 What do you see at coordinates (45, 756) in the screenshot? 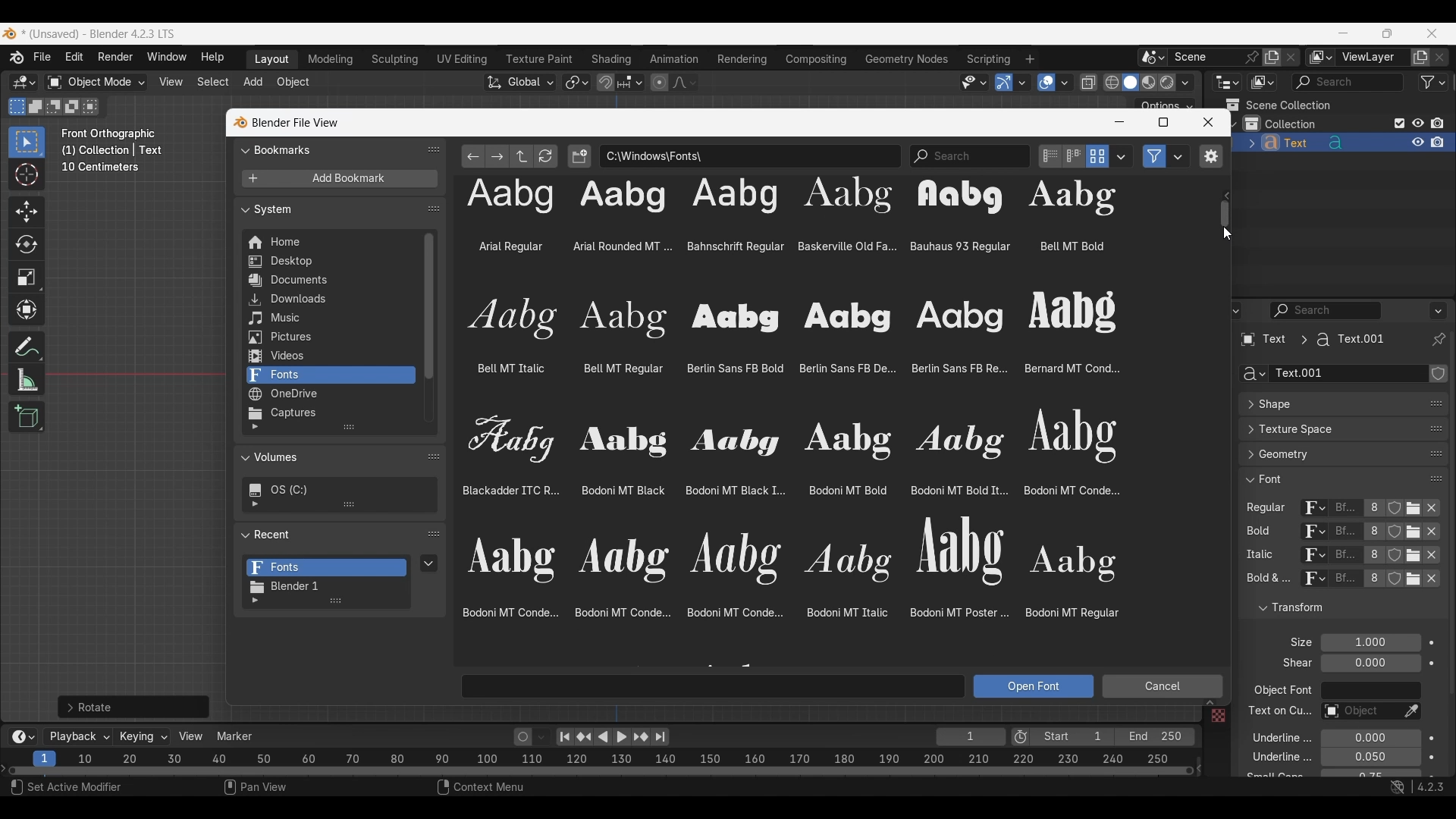
I see `Current frame, highlighted` at bounding box center [45, 756].